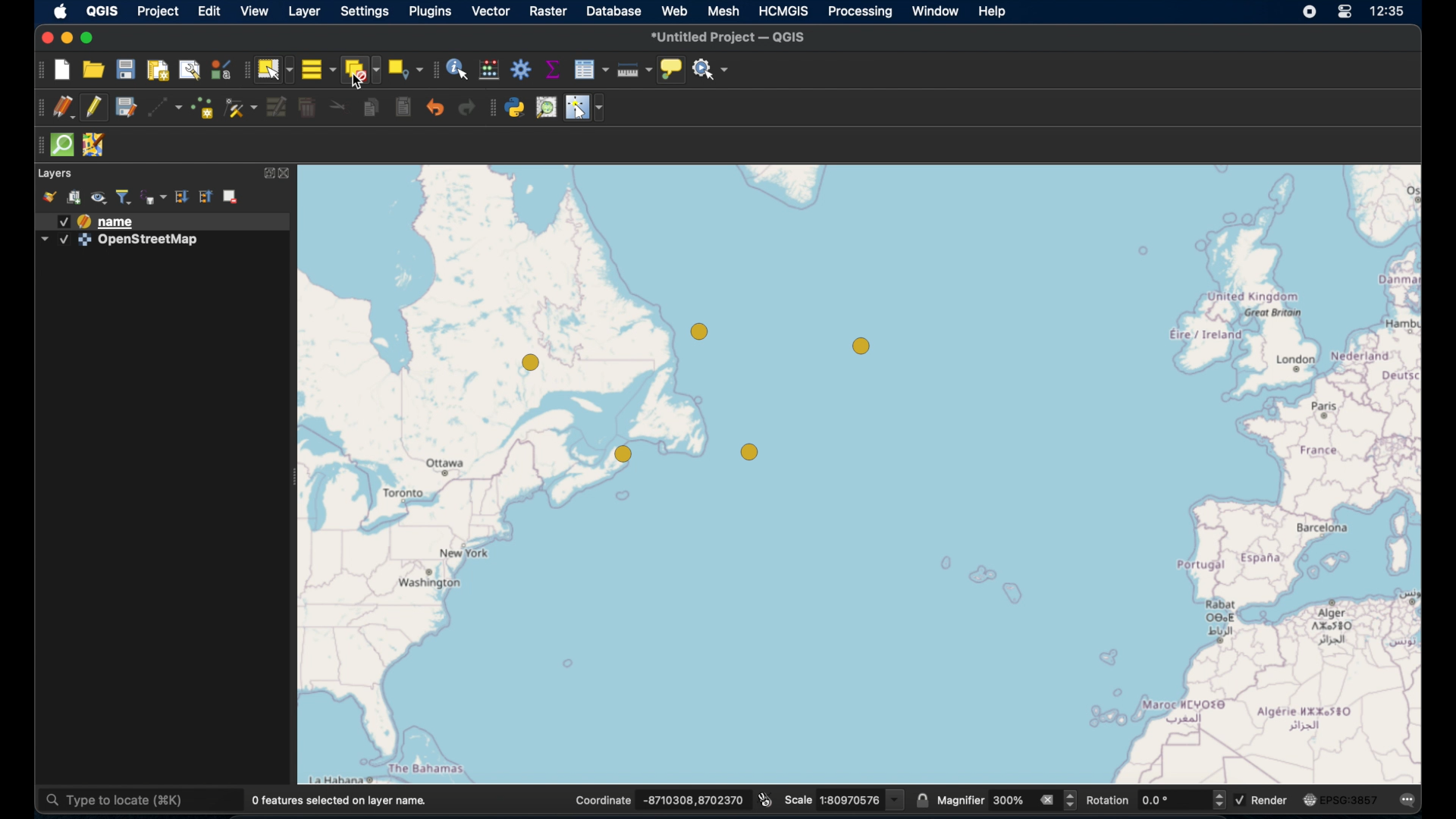 This screenshot has width=1456, height=819. Describe the element at coordinates (124, 197) in the screenshot. I see `filter legend` at that location.